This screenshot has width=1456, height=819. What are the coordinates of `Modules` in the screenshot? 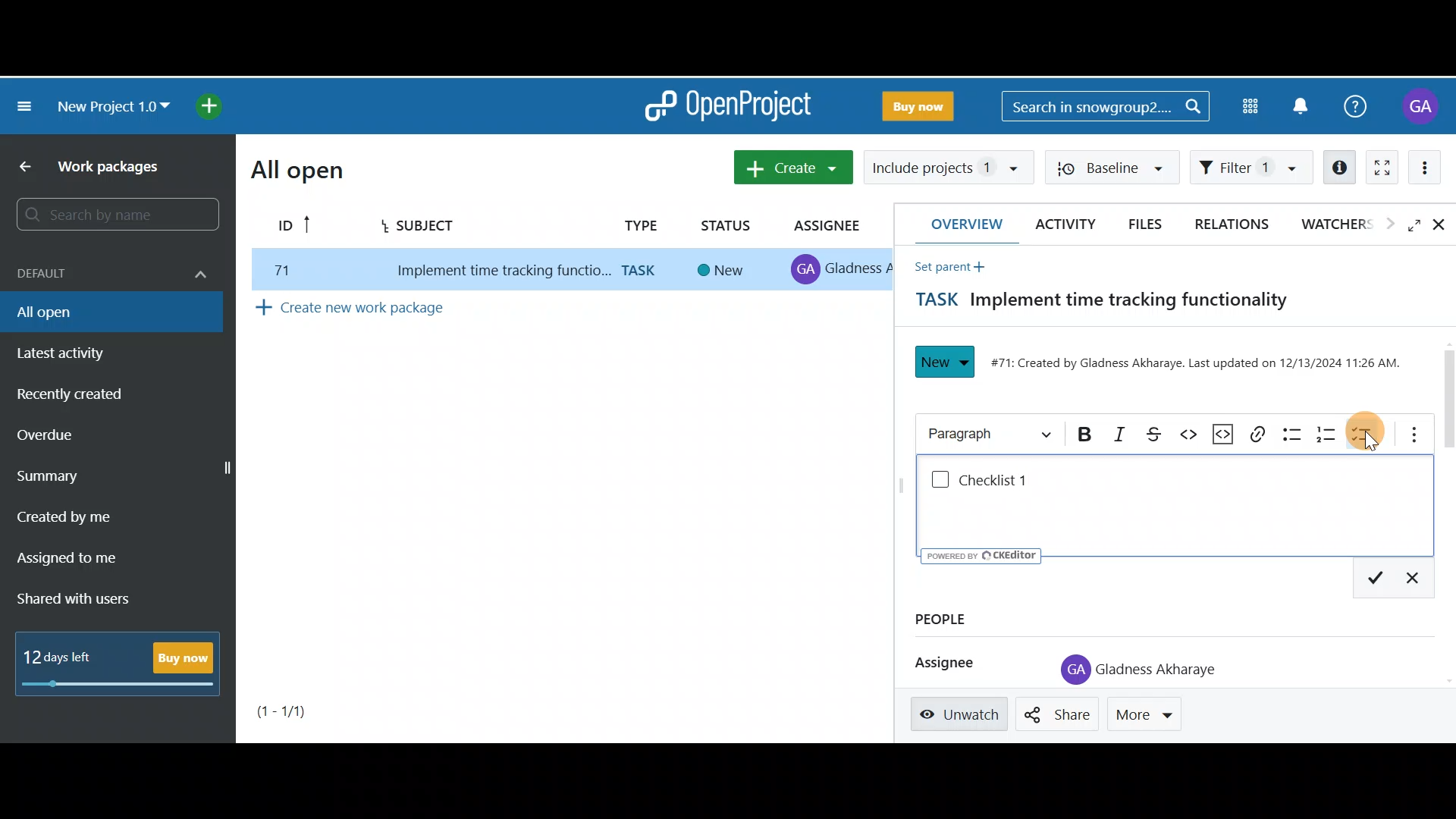 It's located at (1250, 106).